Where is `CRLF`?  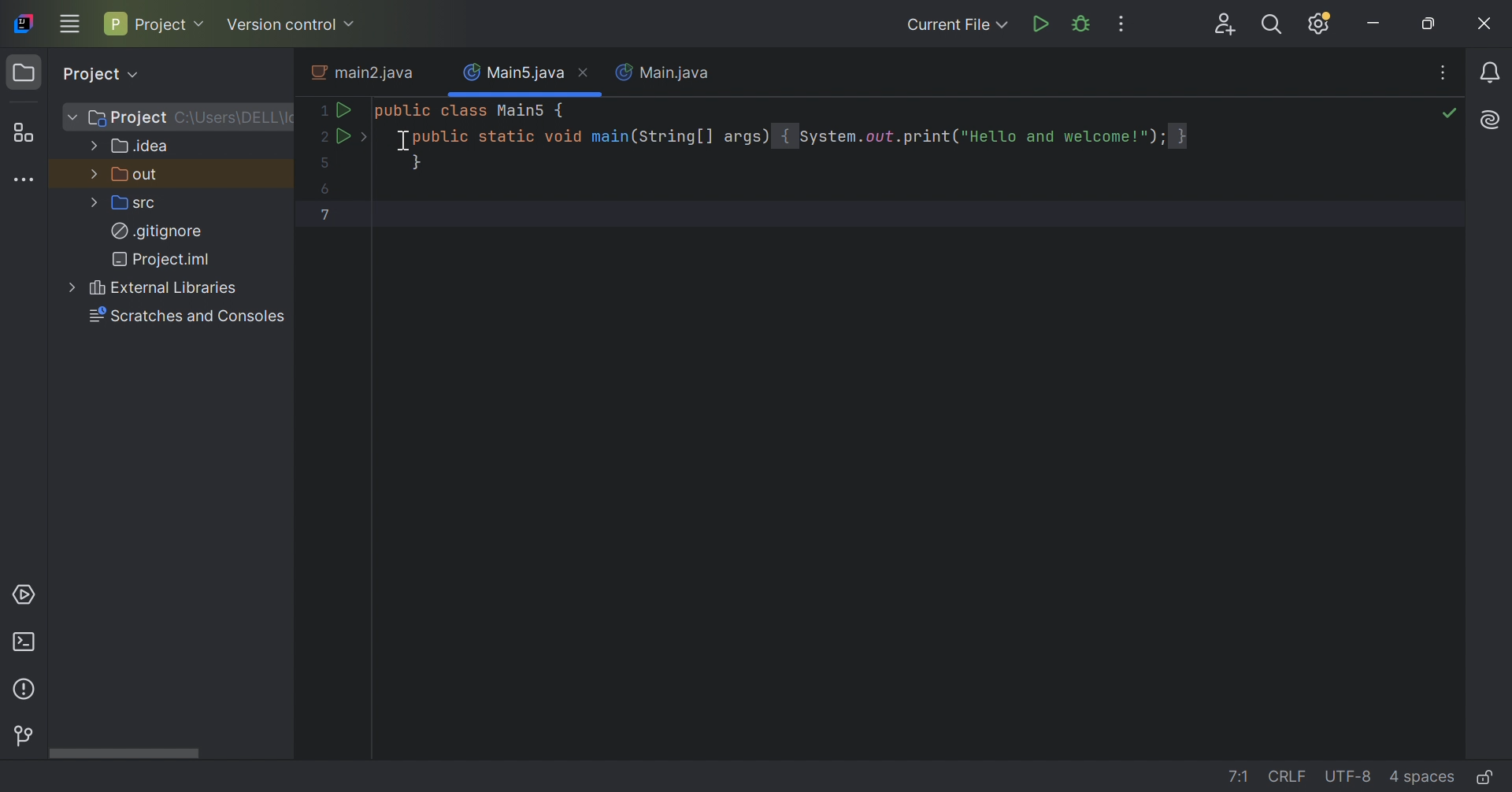 CRLF is located at coordinates (1285, 775).